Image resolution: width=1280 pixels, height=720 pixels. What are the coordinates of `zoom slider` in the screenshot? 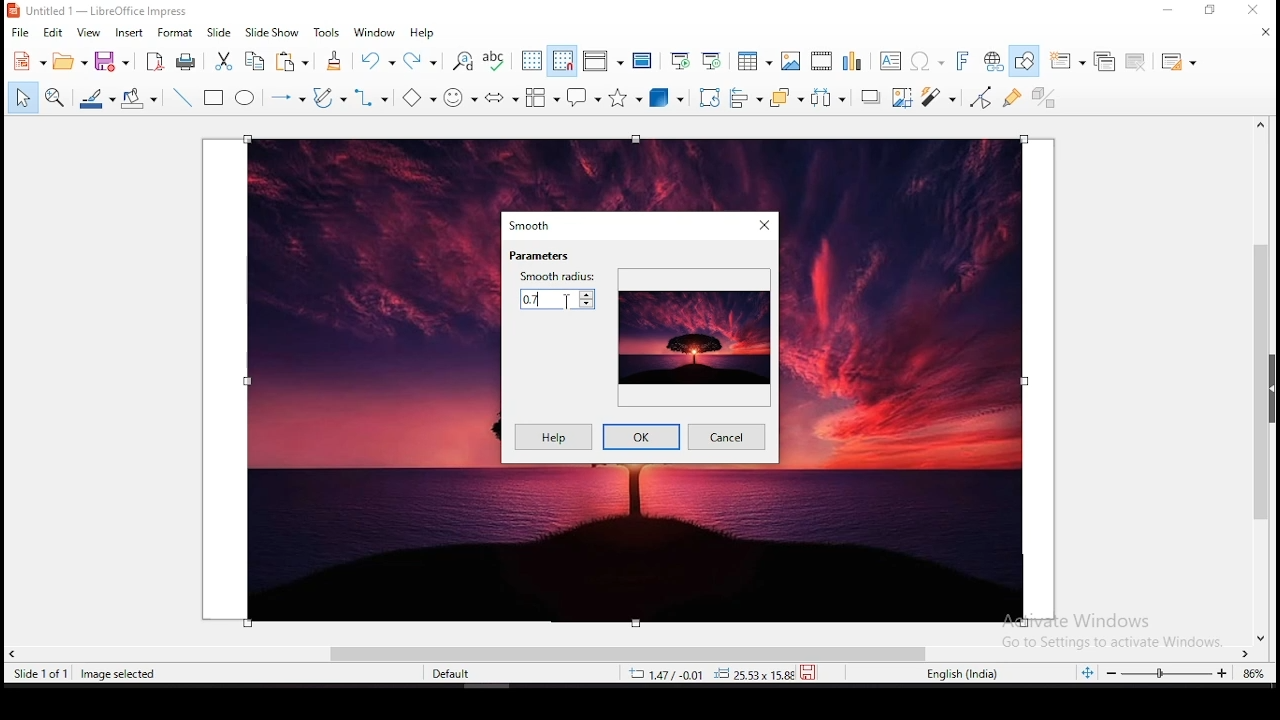 It's located at (1167, 674).